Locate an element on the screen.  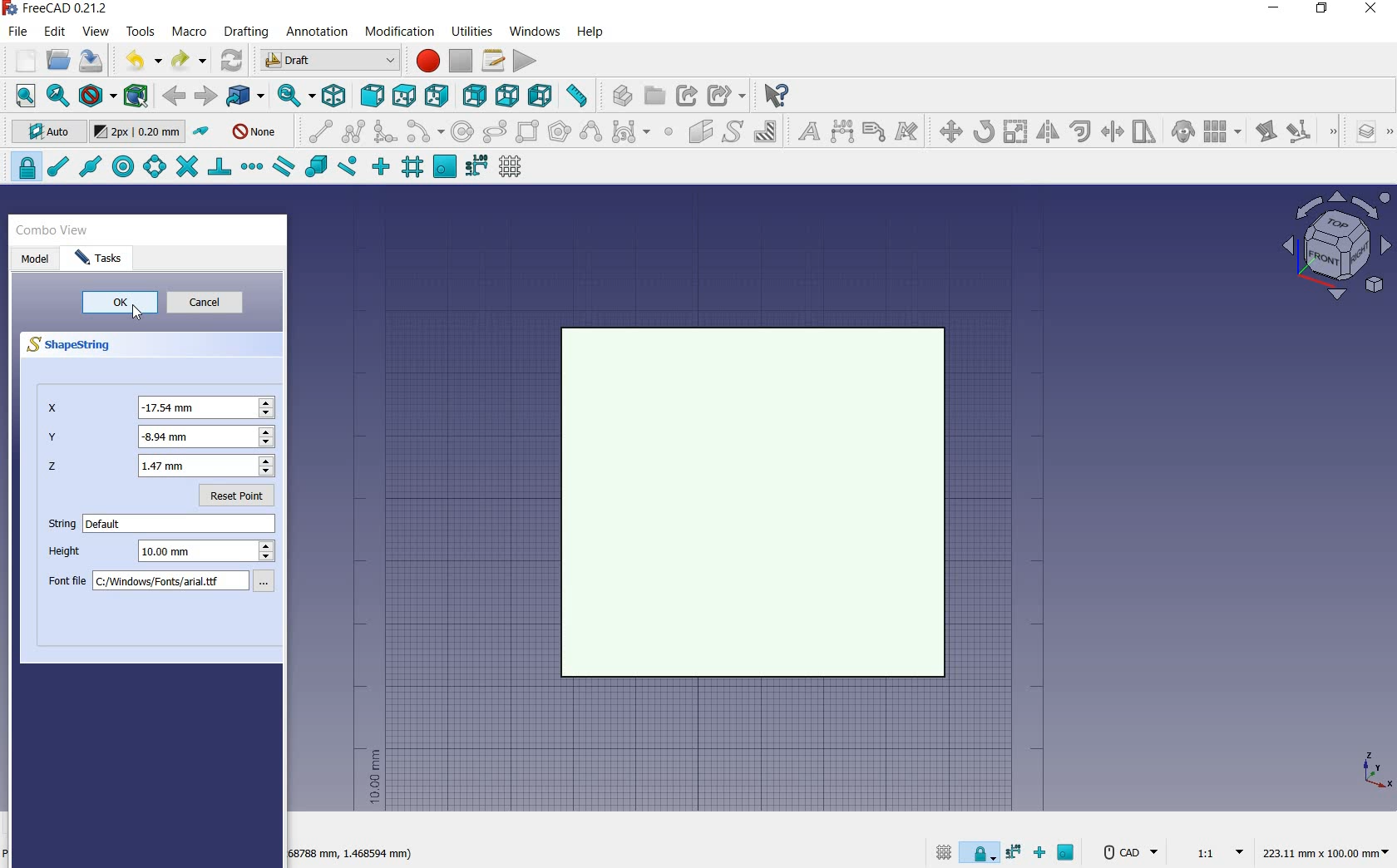
snap intersection is located at coordinates (185, 167).